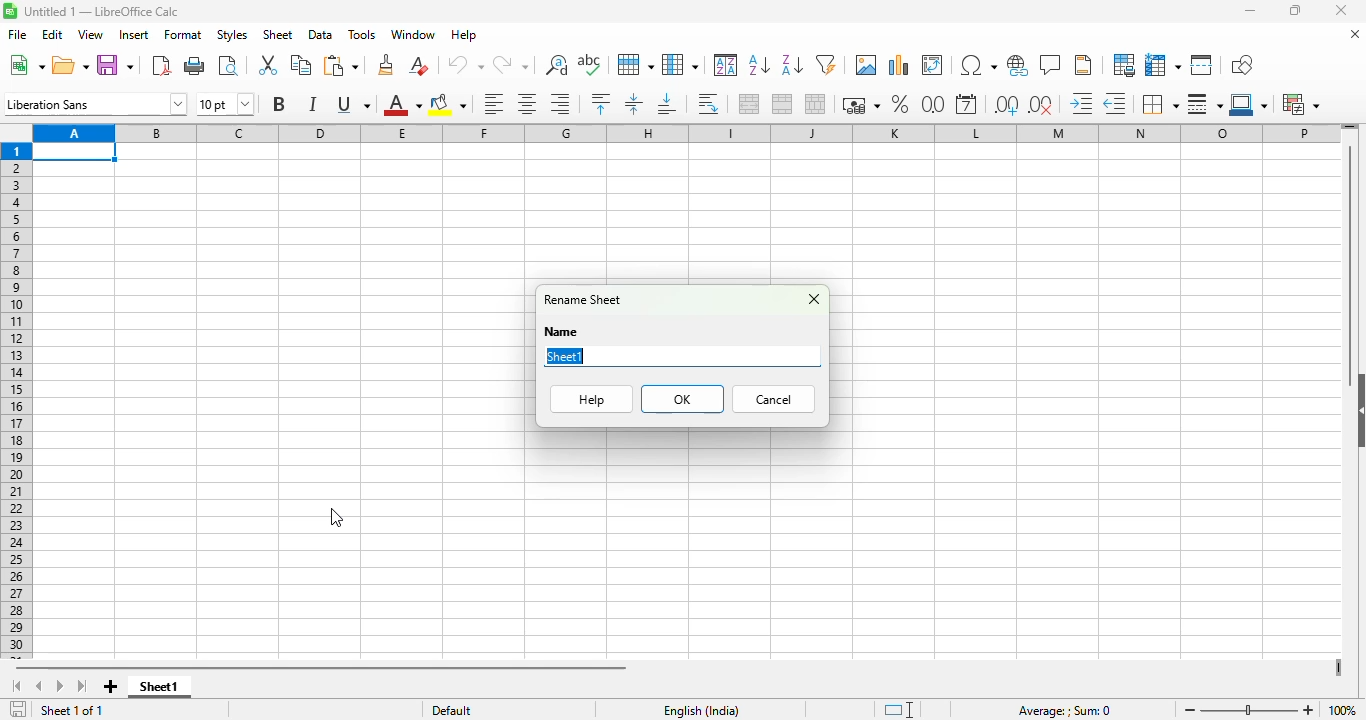 This screenshot has height=720, width=1366. What do you see at coordinates (1299, 104) in the screenshot?
I see `conditional` at bounding box center [1299, 104].